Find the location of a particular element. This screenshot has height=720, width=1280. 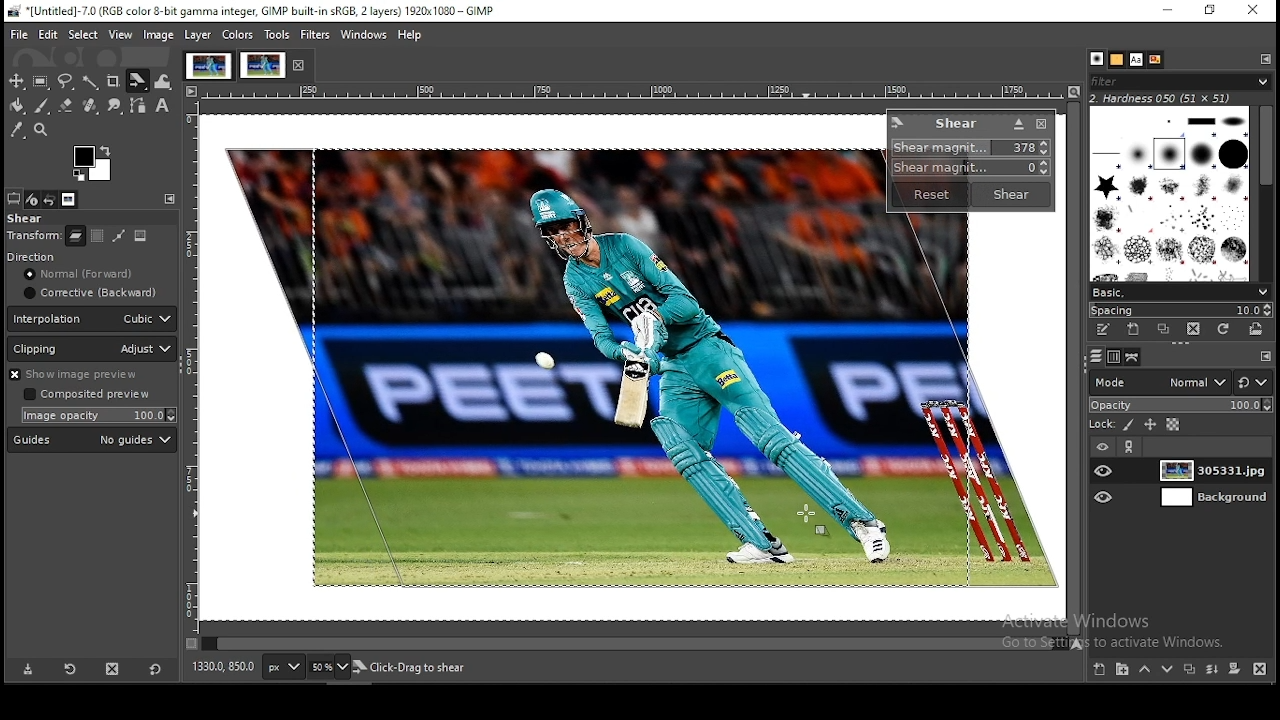

free selection tool is located at coordinates (66, 82).